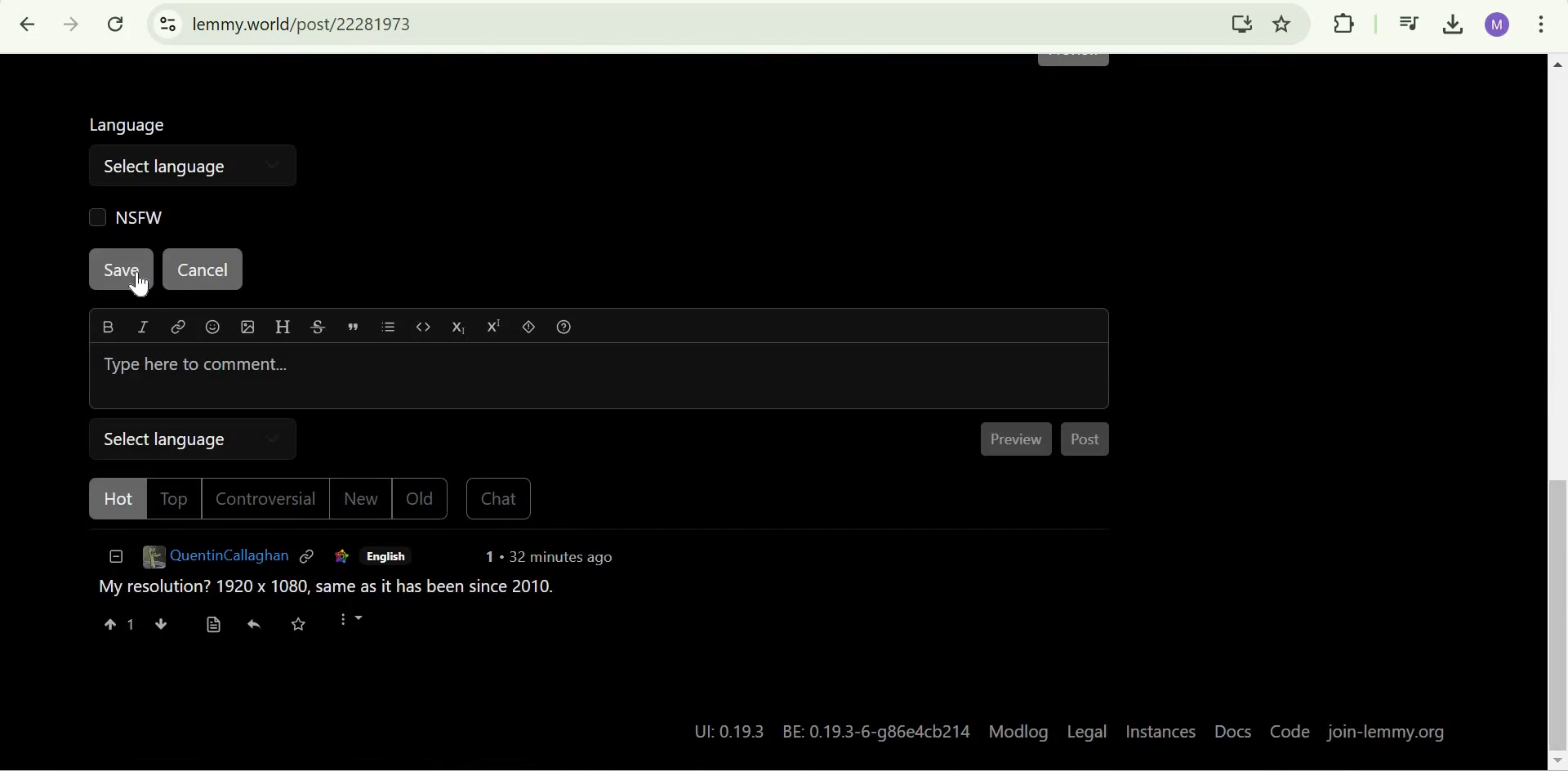  I want to click on strikethrough, so click(318, 329).